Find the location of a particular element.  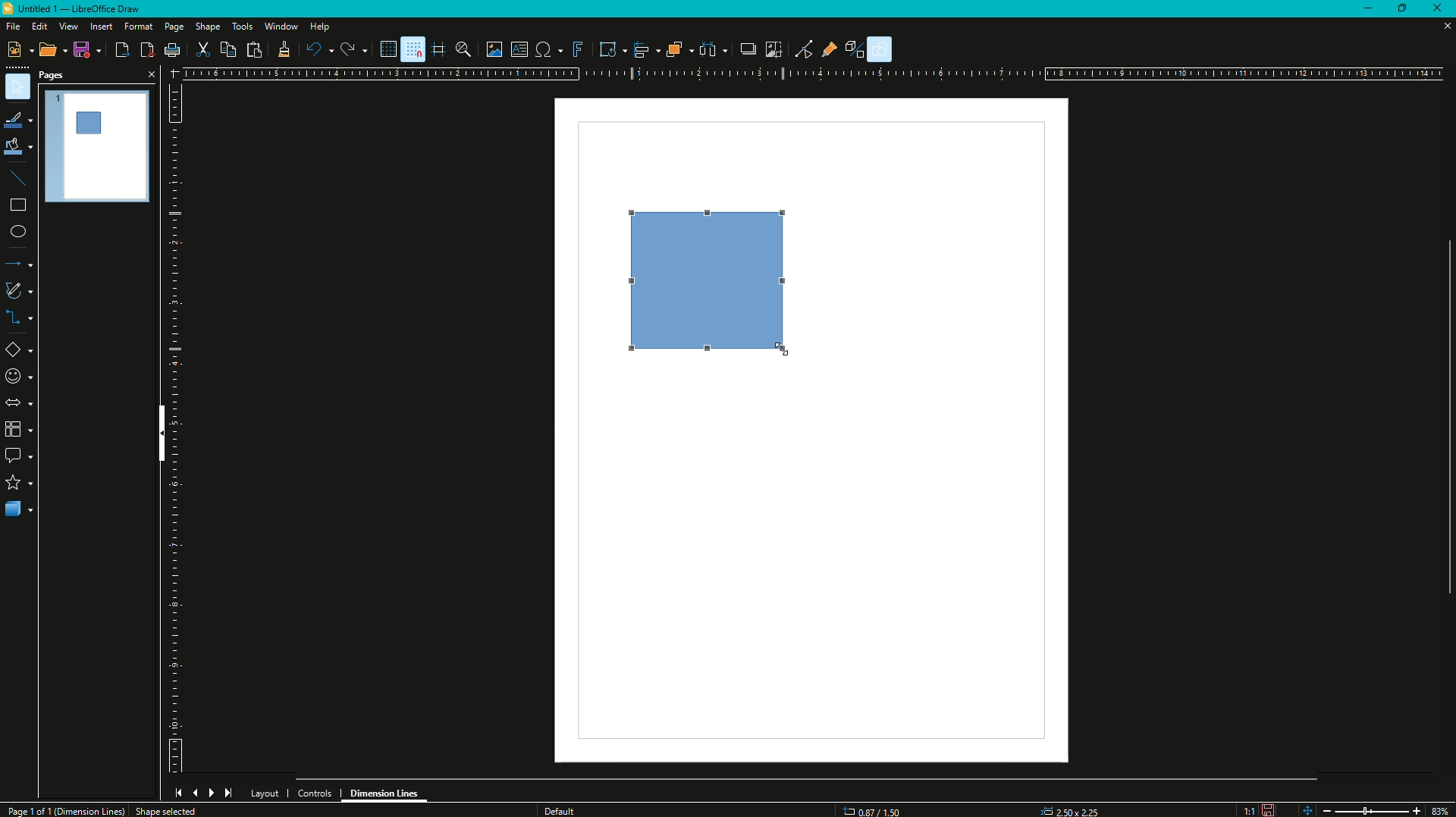

File is located at coordinates (12, 27).